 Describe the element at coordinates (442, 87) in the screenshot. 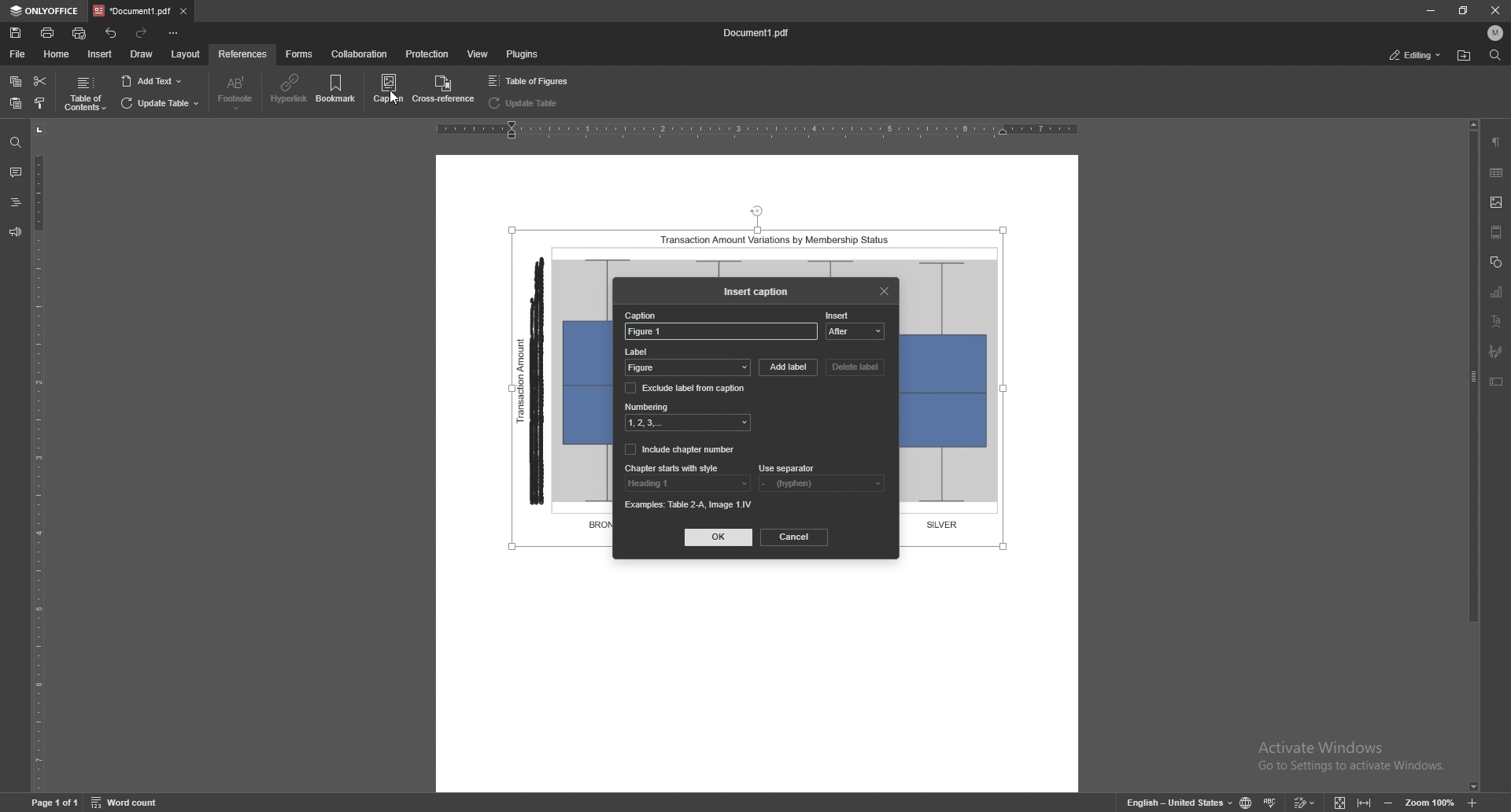

I see `cross references` at that location.